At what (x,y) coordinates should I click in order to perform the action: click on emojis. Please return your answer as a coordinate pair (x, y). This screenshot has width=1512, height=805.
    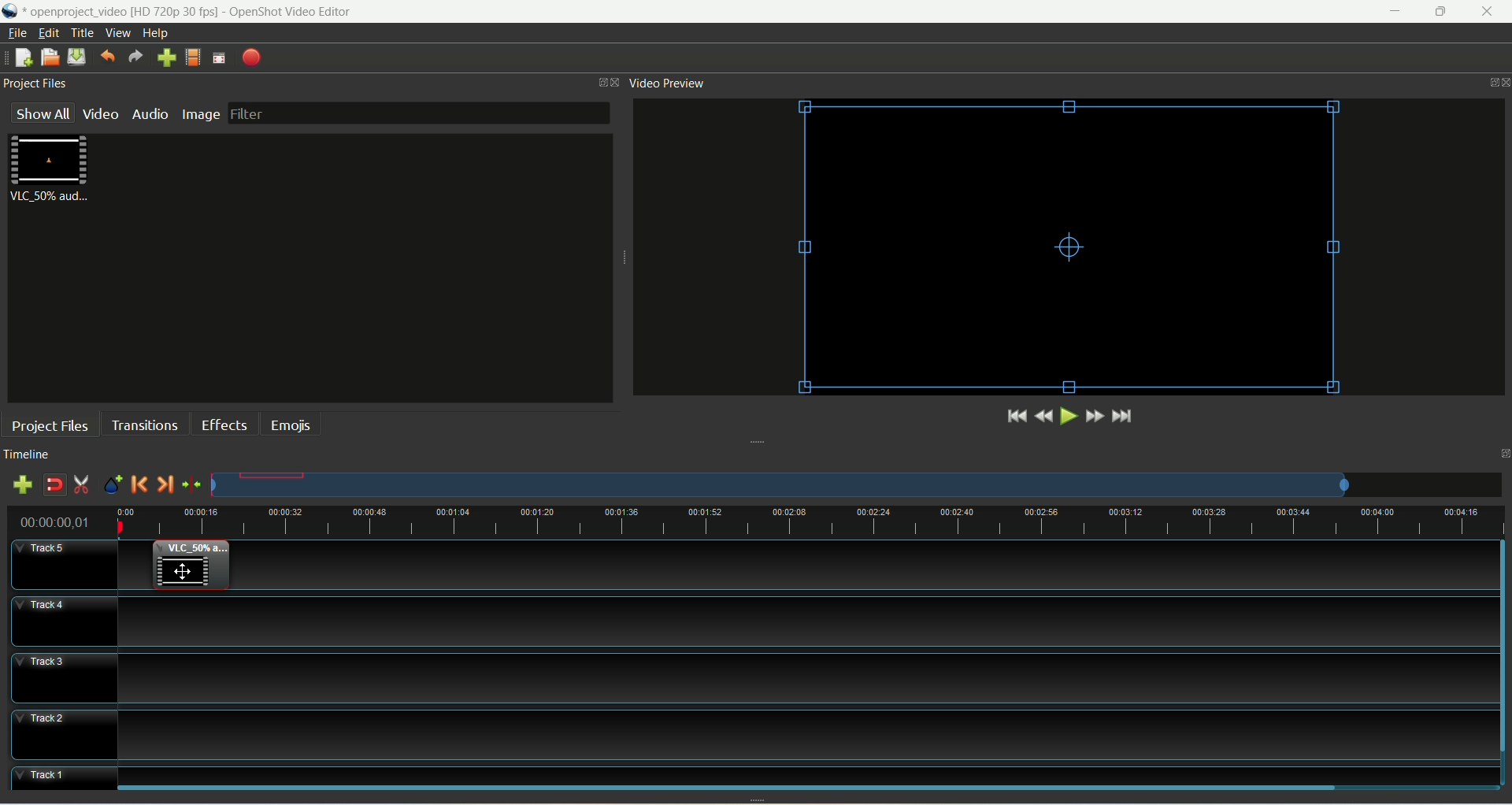
    Looking at the image, I should click on (289, 424).